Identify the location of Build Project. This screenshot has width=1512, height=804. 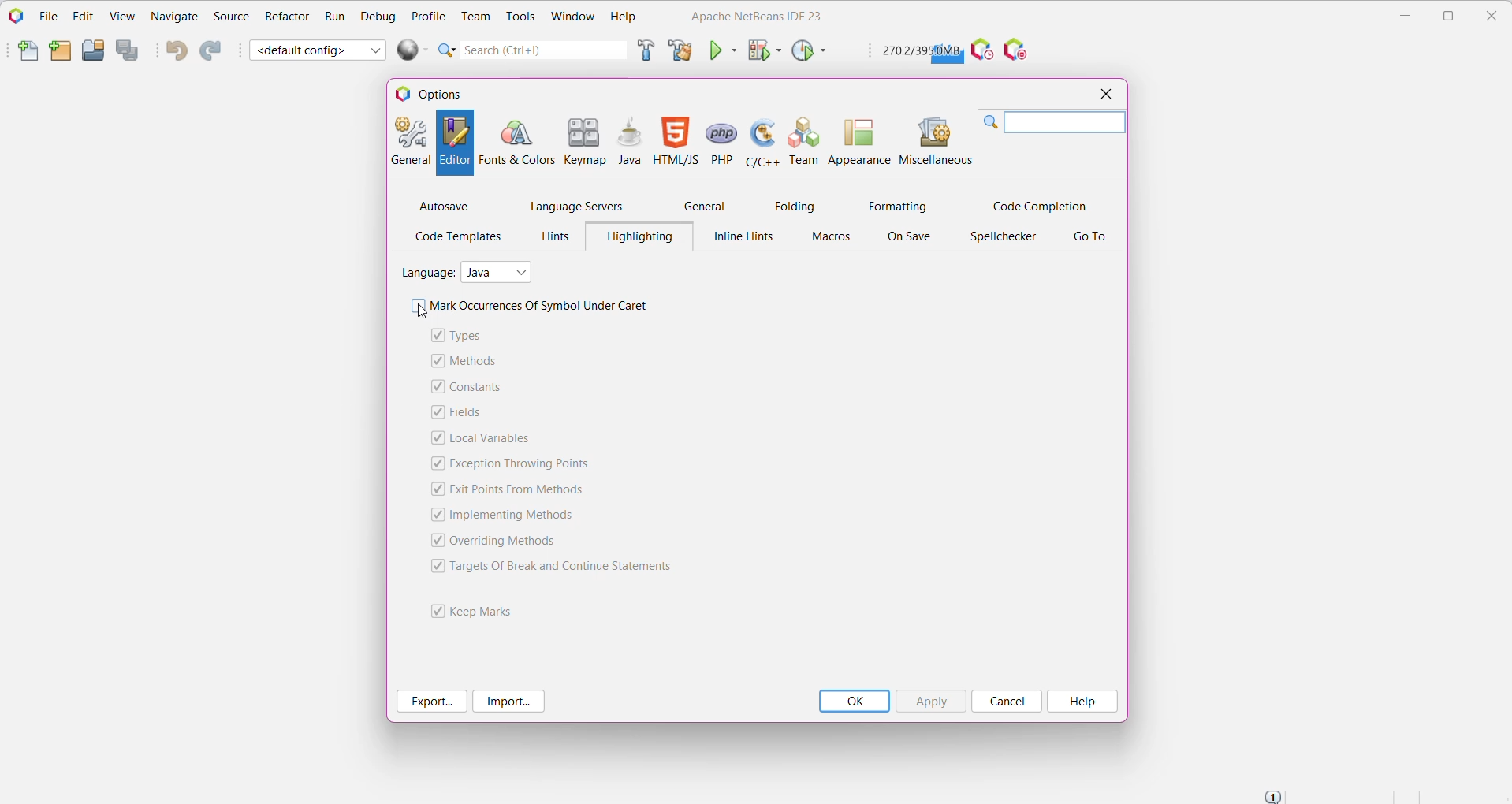
(644, 52).